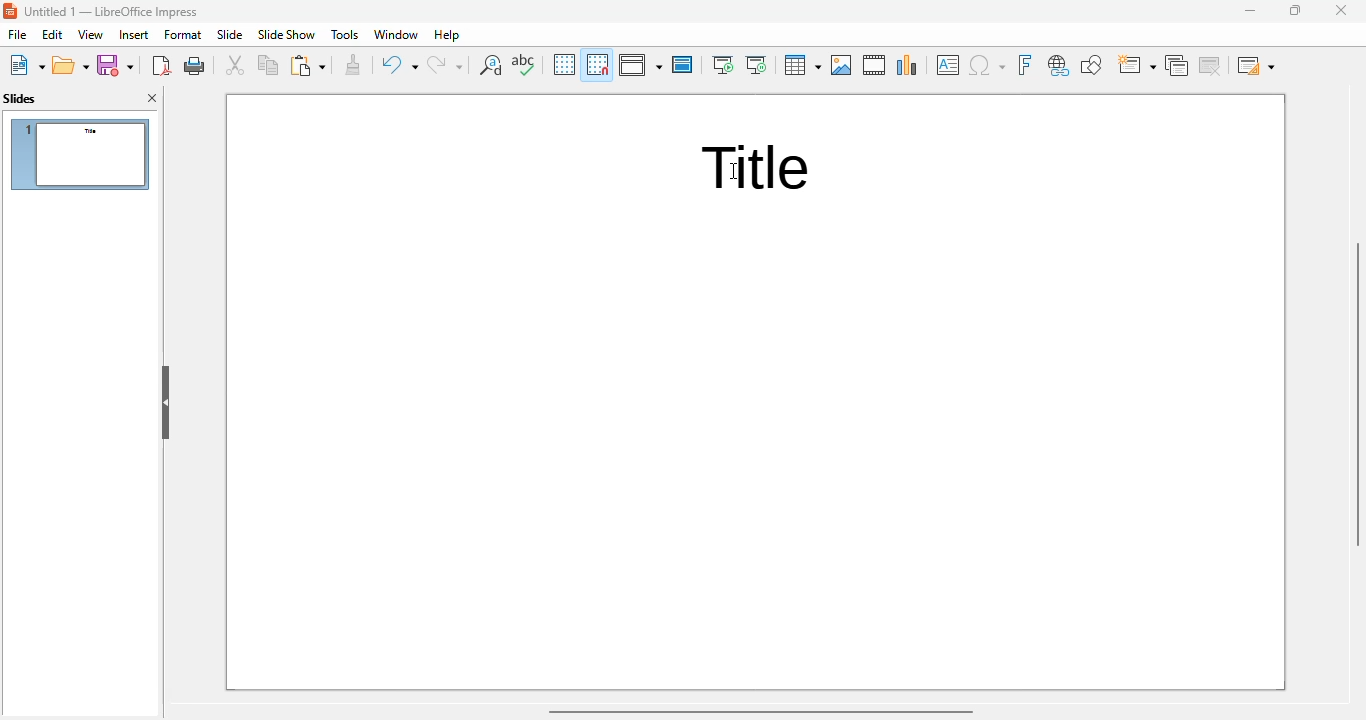 This screenshot has height=720, width=1366. Describe the element at coordinates (908, 65) in the screenshot. I see `insert chart` at that location.